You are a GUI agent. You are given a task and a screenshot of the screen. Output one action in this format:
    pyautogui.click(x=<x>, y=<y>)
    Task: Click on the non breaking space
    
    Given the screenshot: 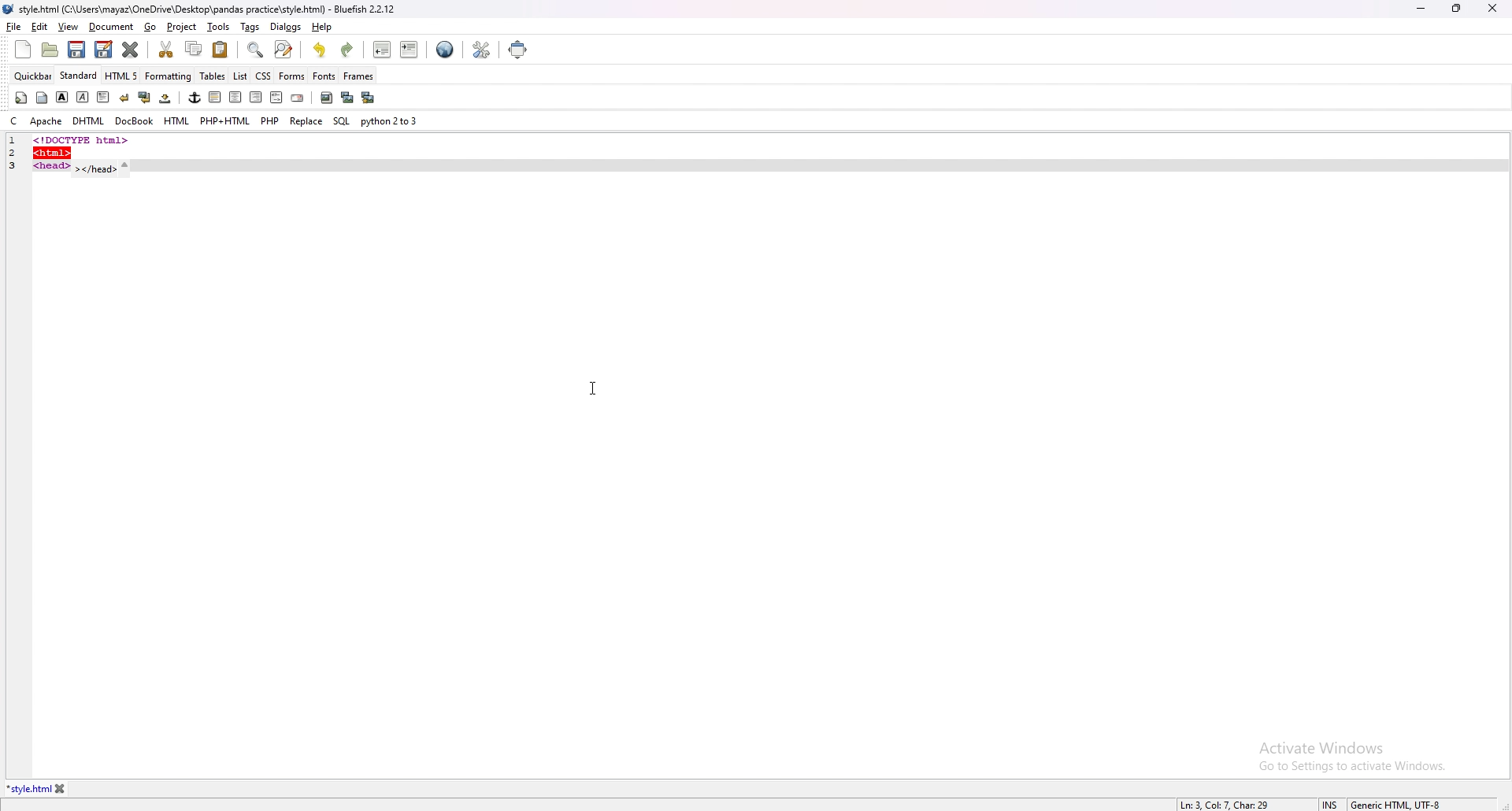 What is the action you would take?
    pyautogui.click(x=166, y=98)
    